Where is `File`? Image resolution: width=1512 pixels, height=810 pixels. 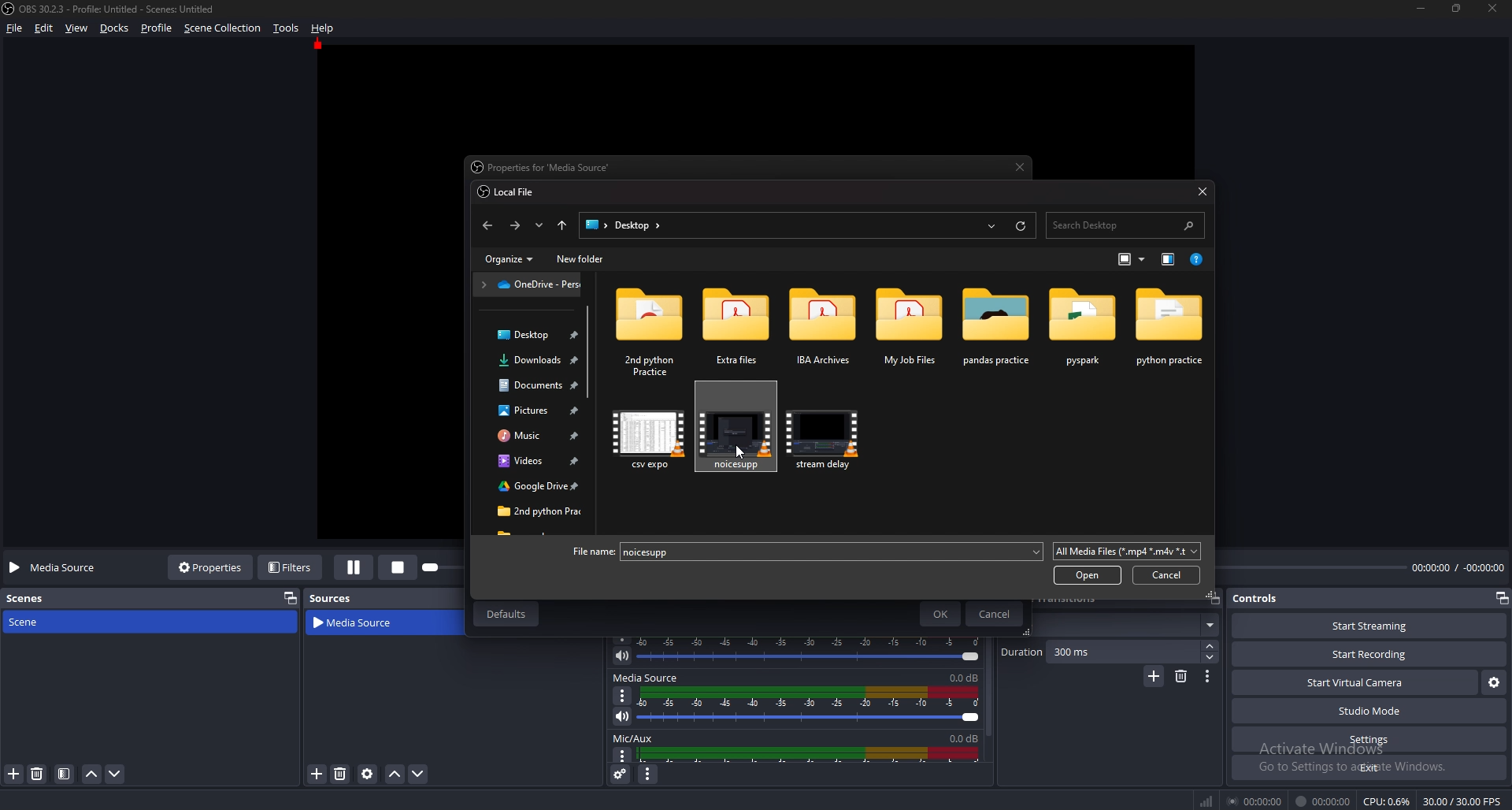 File is located at coordinates (17, 28).